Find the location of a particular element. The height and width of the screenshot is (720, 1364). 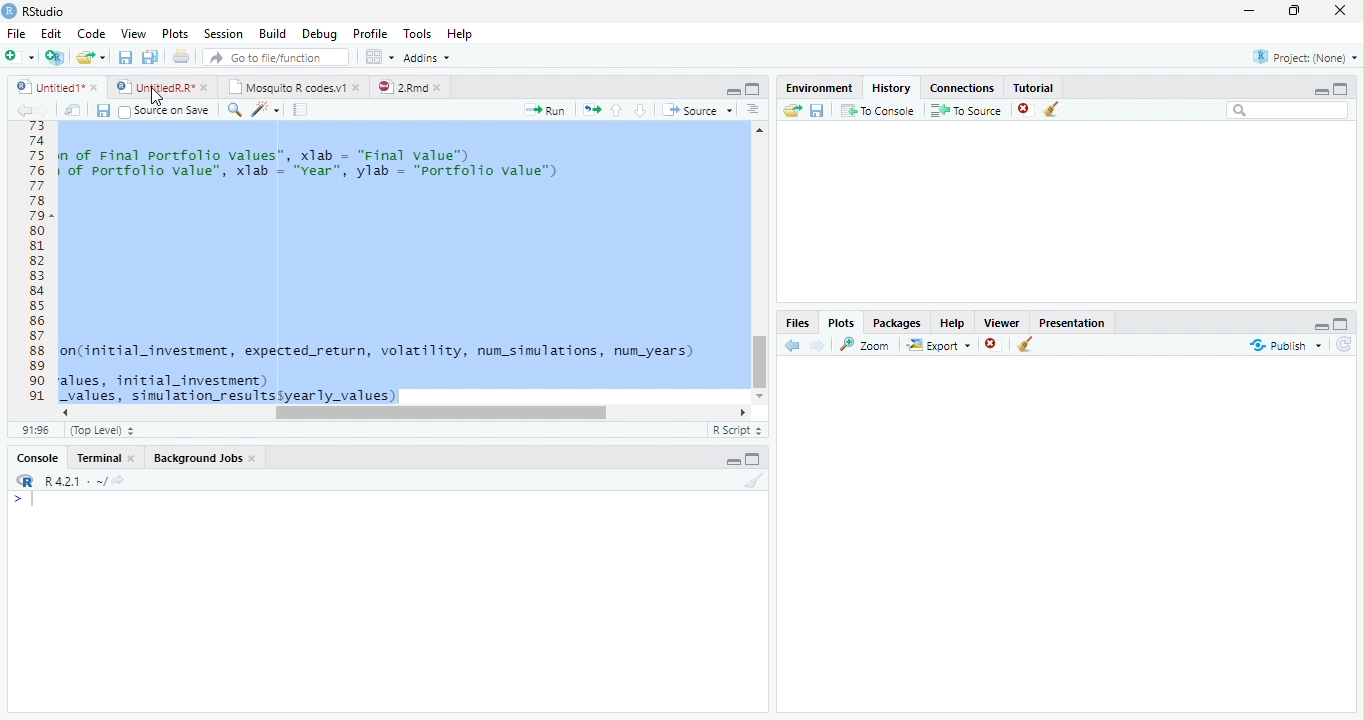

 is located at coordinates (732, 89).